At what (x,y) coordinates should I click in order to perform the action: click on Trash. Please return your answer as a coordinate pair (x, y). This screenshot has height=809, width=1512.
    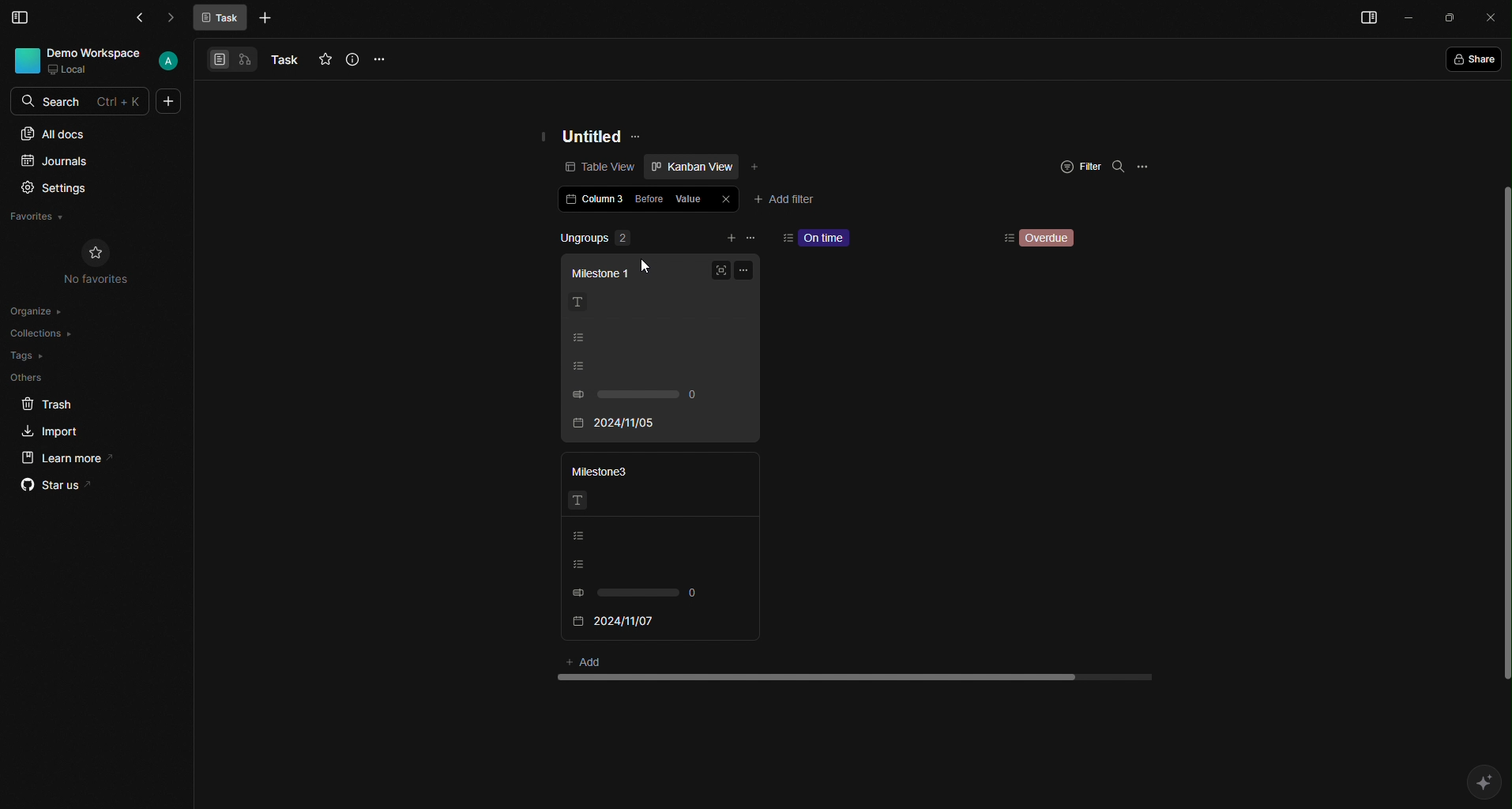
    Looking at the image, I should click on (47, 403).